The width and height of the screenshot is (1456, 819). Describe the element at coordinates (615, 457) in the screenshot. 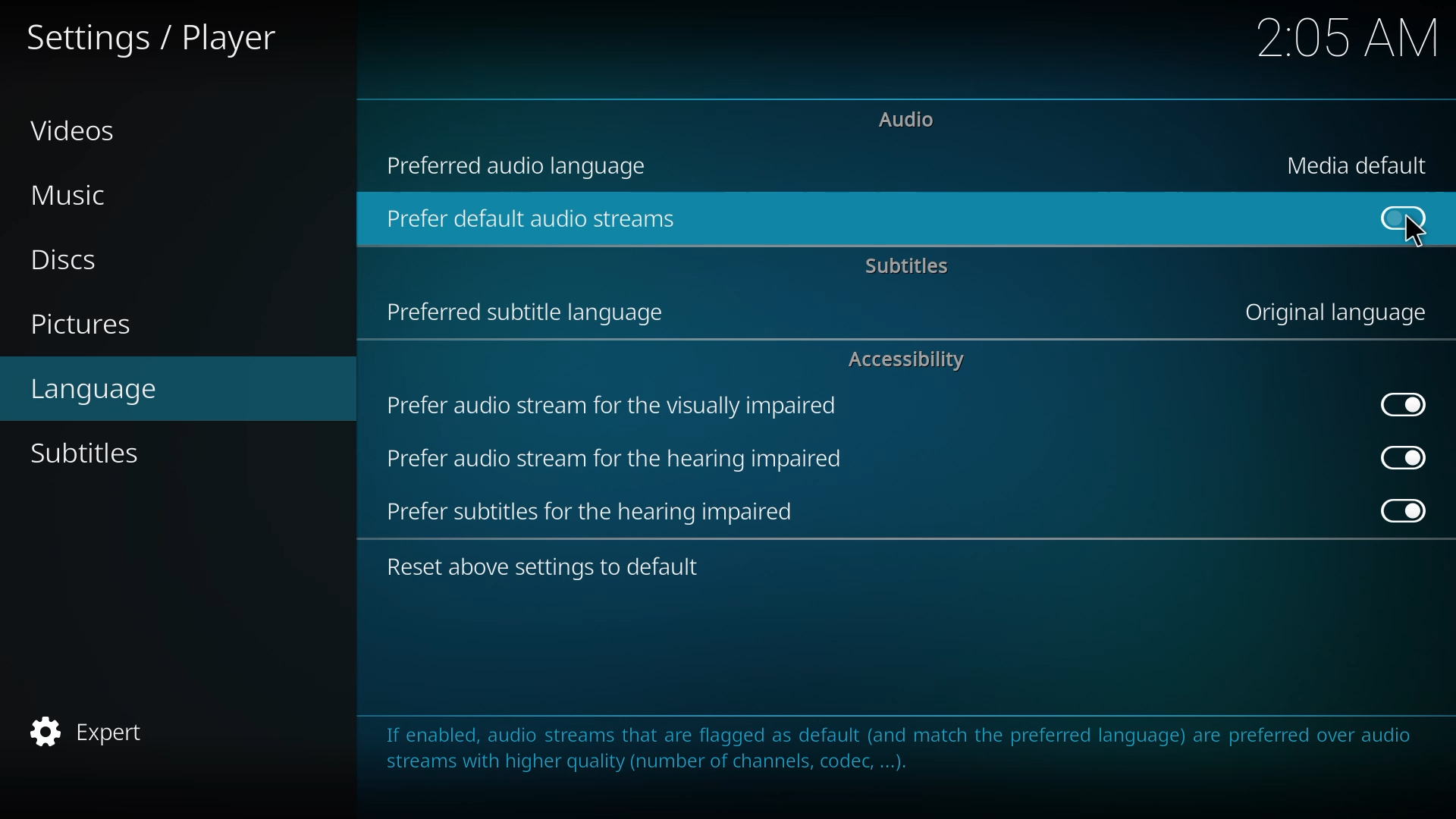

I see `prefer audio stream for hearing impaired` at that location.